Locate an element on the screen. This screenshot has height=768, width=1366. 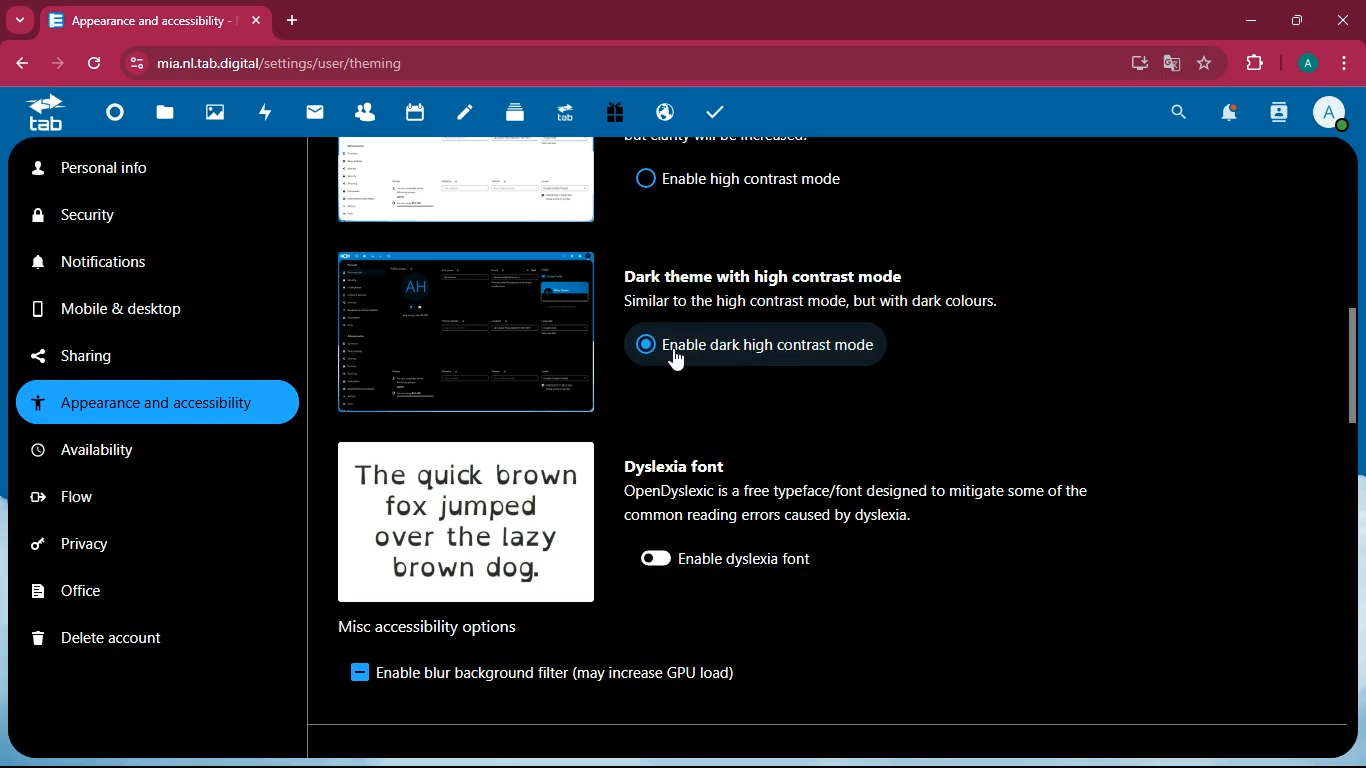
enable is located at coordinates (747, 560).